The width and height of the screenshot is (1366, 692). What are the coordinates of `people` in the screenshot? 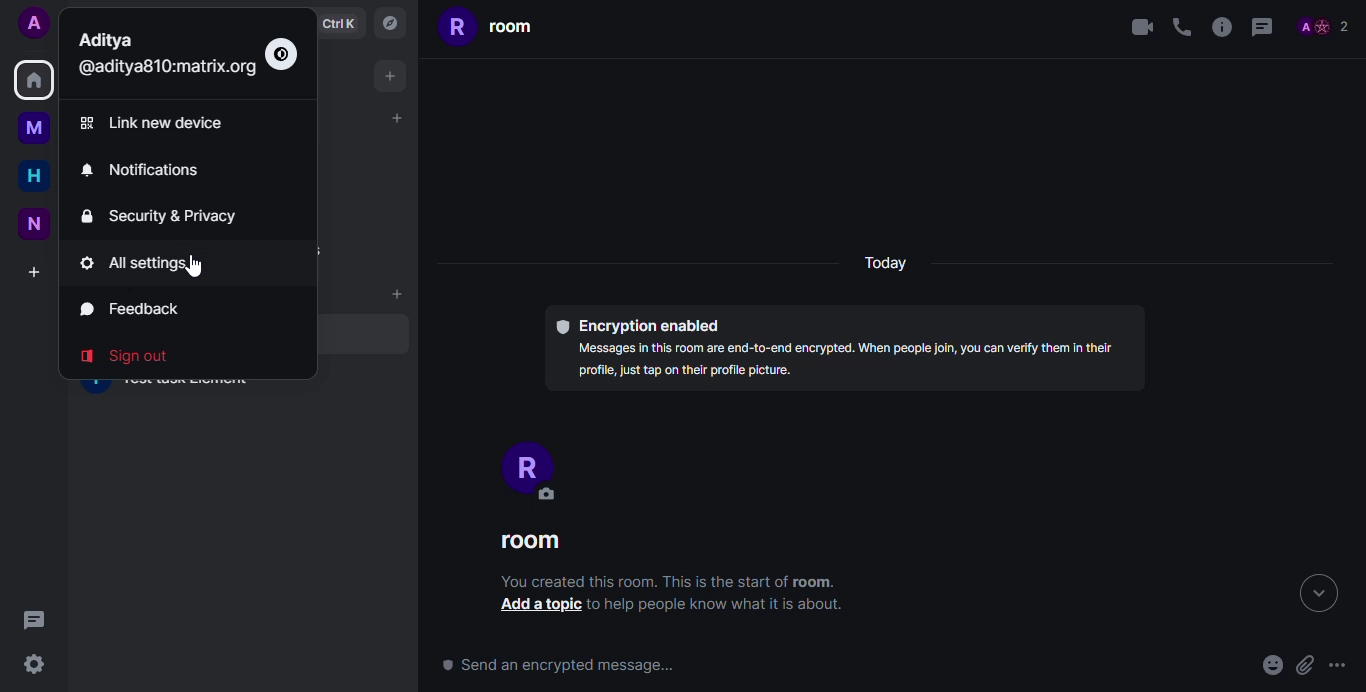 It's located at (1323, 25).